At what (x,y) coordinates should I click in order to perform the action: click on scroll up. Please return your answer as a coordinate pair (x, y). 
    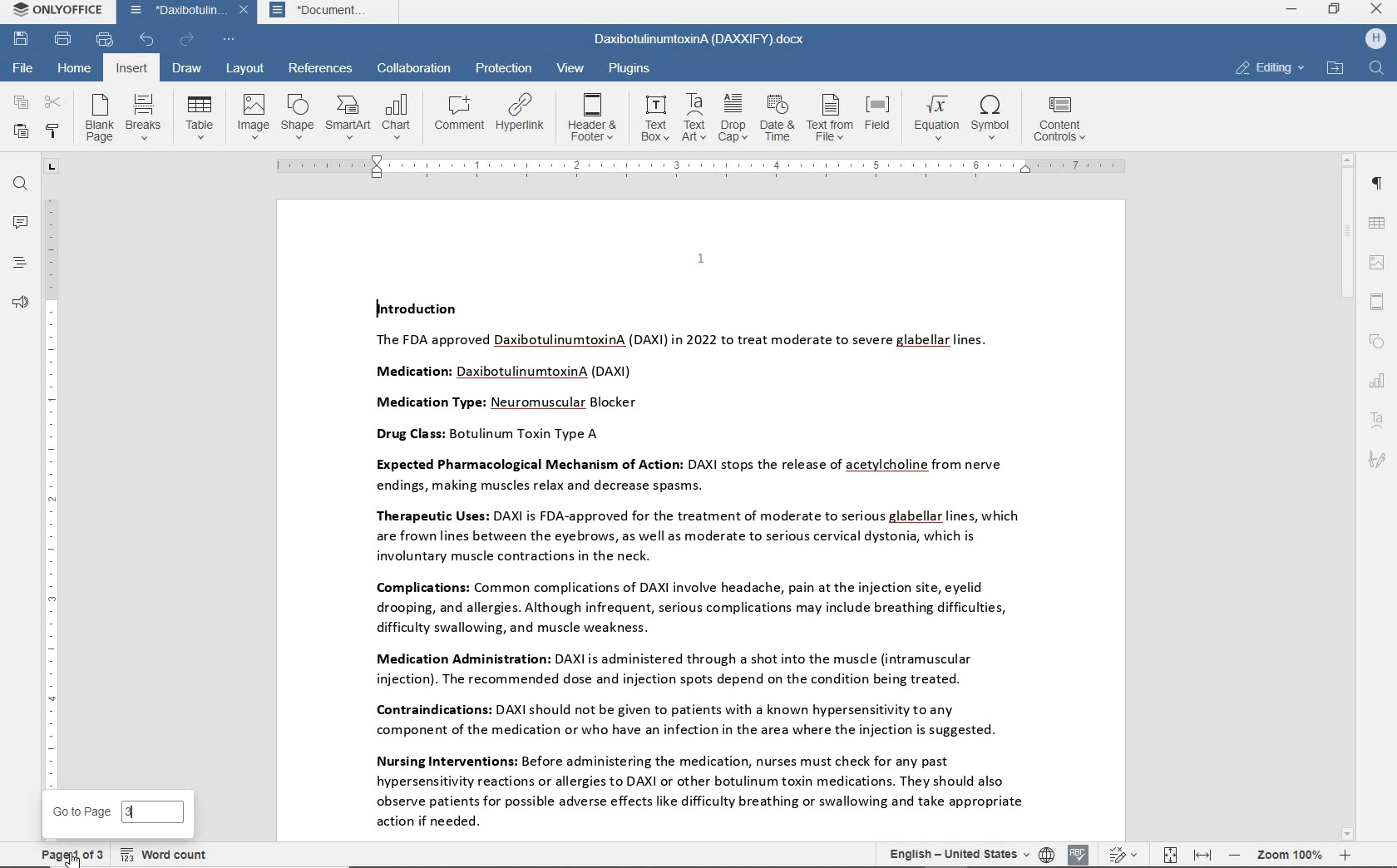
    Looking at the image, I should click on (1348, 160).